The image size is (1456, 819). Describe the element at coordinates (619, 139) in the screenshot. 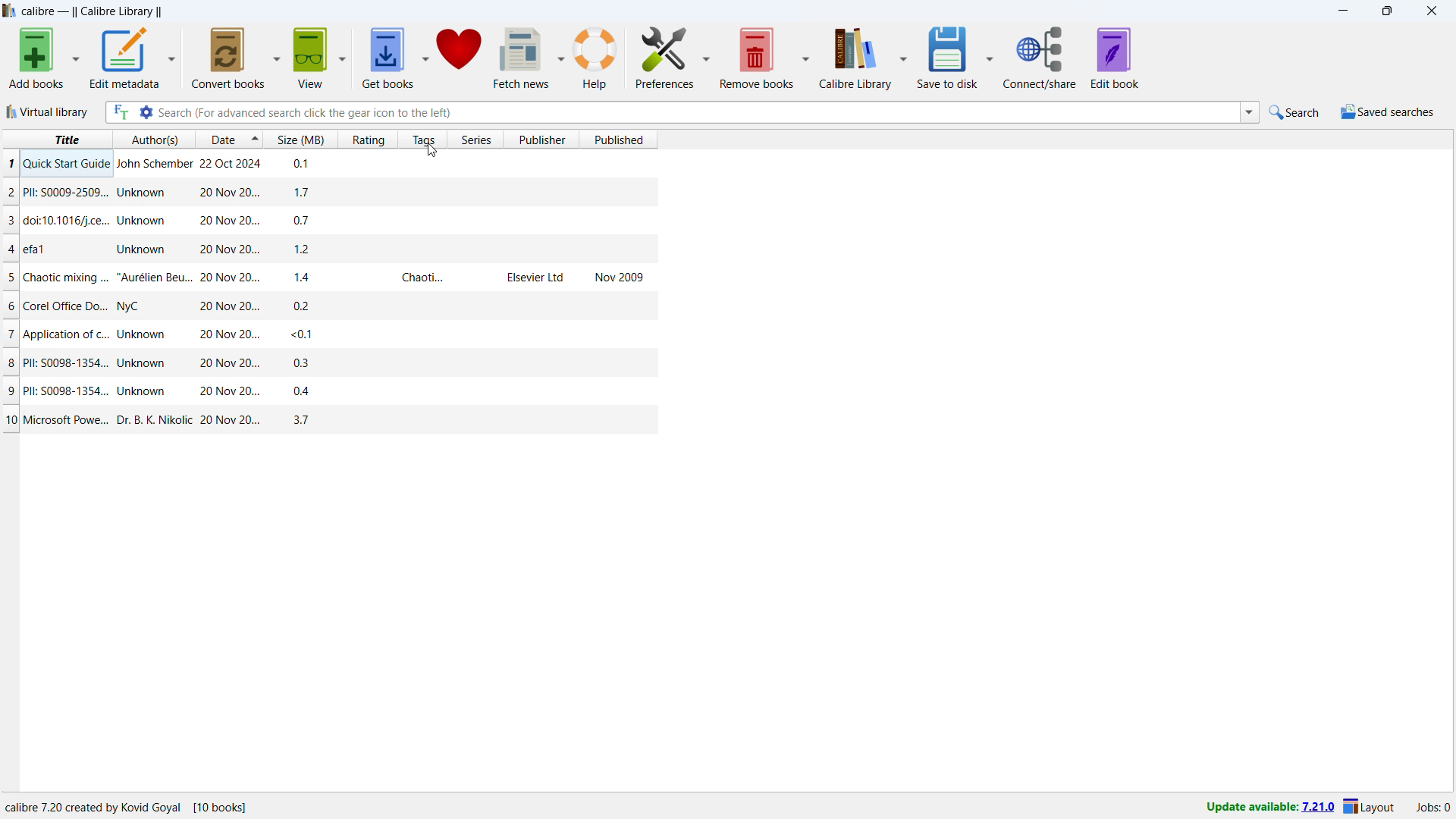

I see `sort by published` at that location.